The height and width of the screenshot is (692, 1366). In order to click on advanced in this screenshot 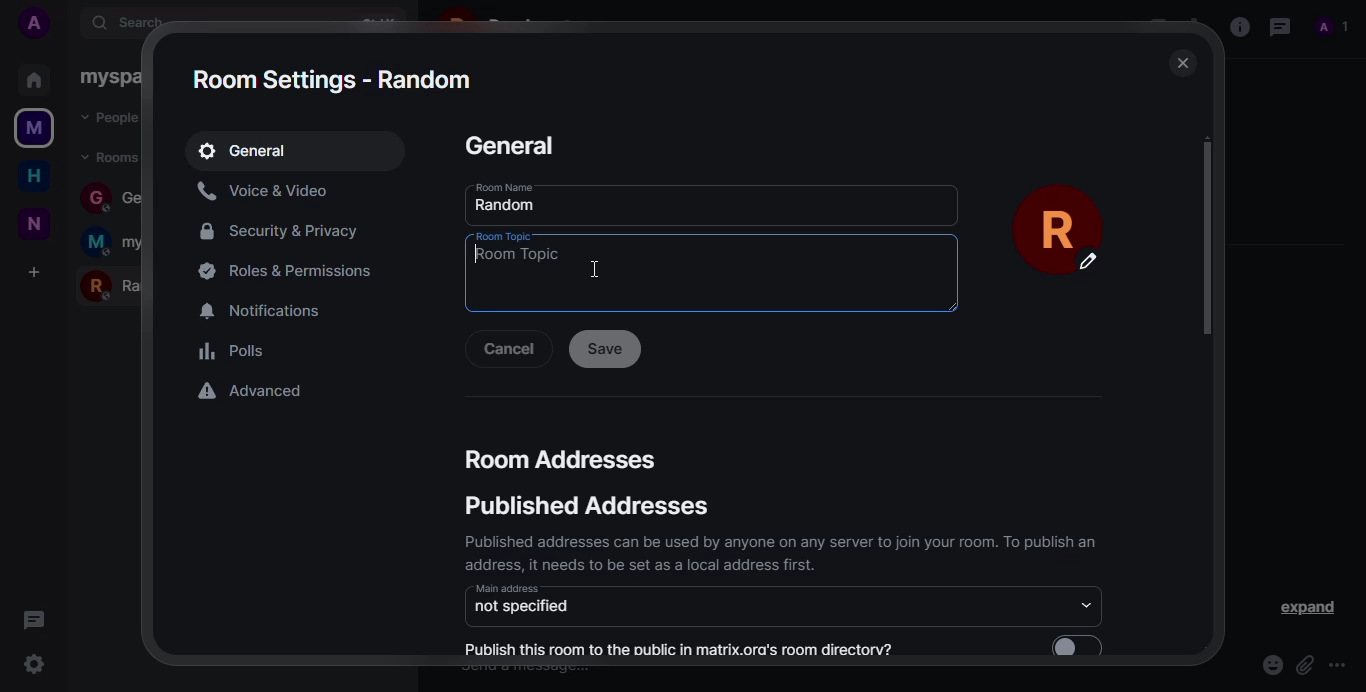, I will do `click(255, 391)`.